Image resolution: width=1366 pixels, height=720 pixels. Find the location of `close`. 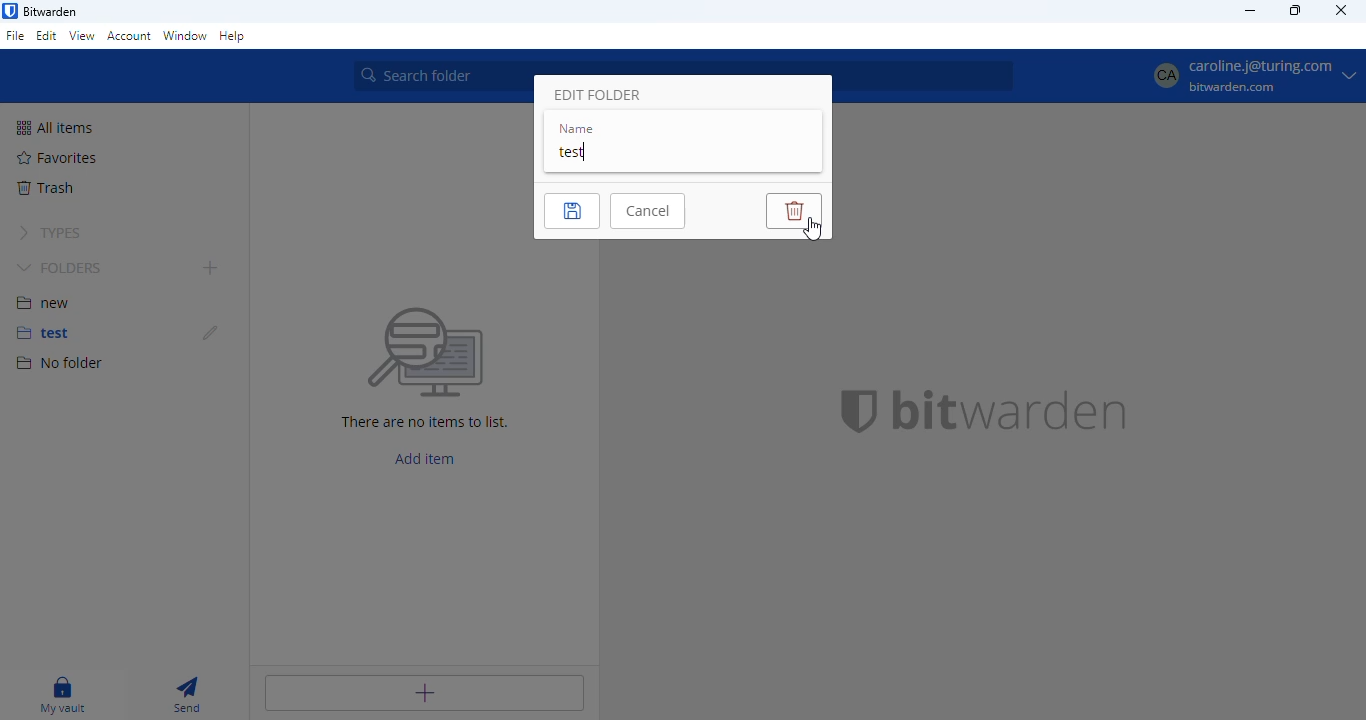

close is located at coordinates (1342, 10).